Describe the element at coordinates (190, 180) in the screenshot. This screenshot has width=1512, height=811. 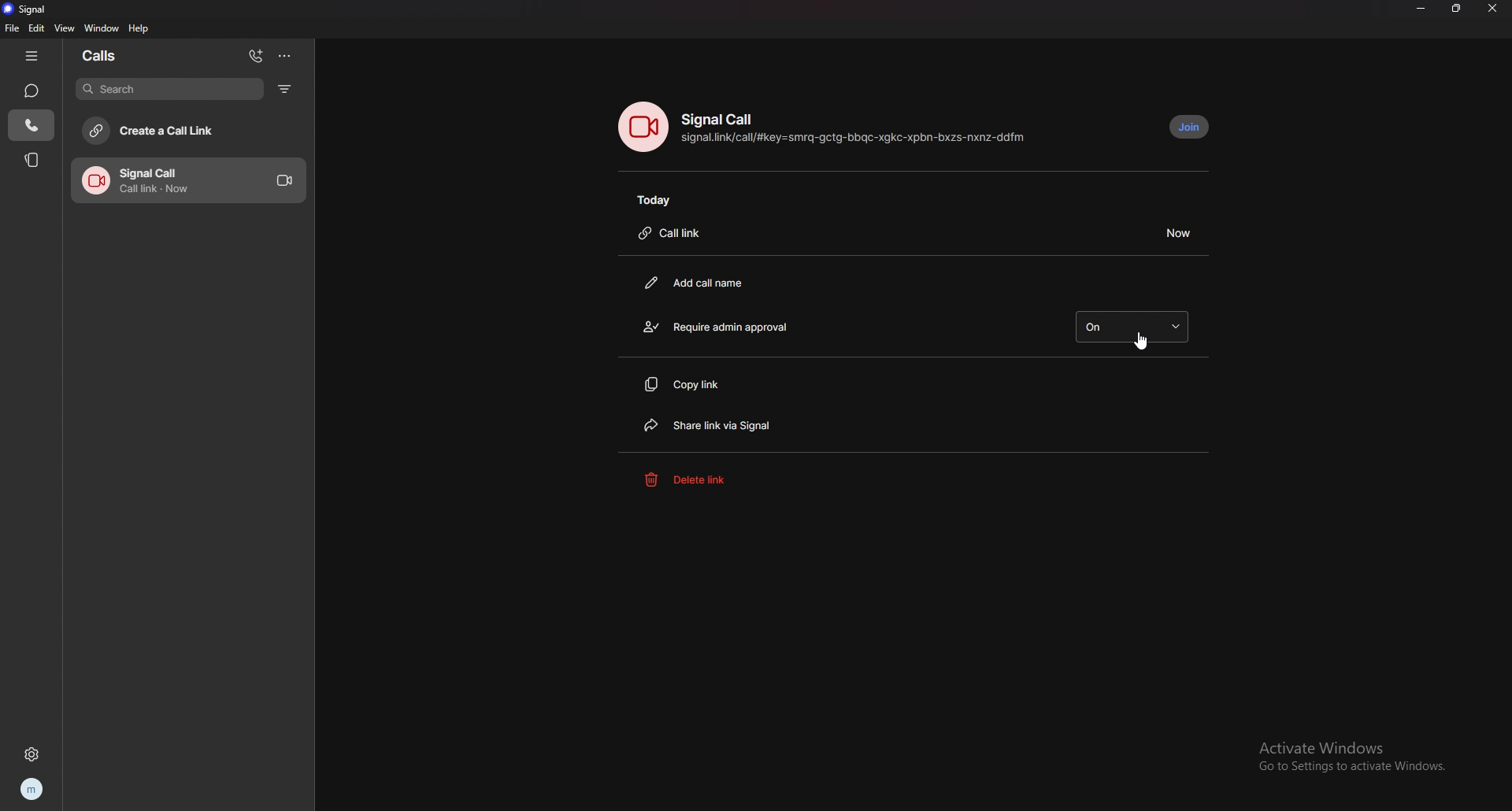
I see `call` at that location.